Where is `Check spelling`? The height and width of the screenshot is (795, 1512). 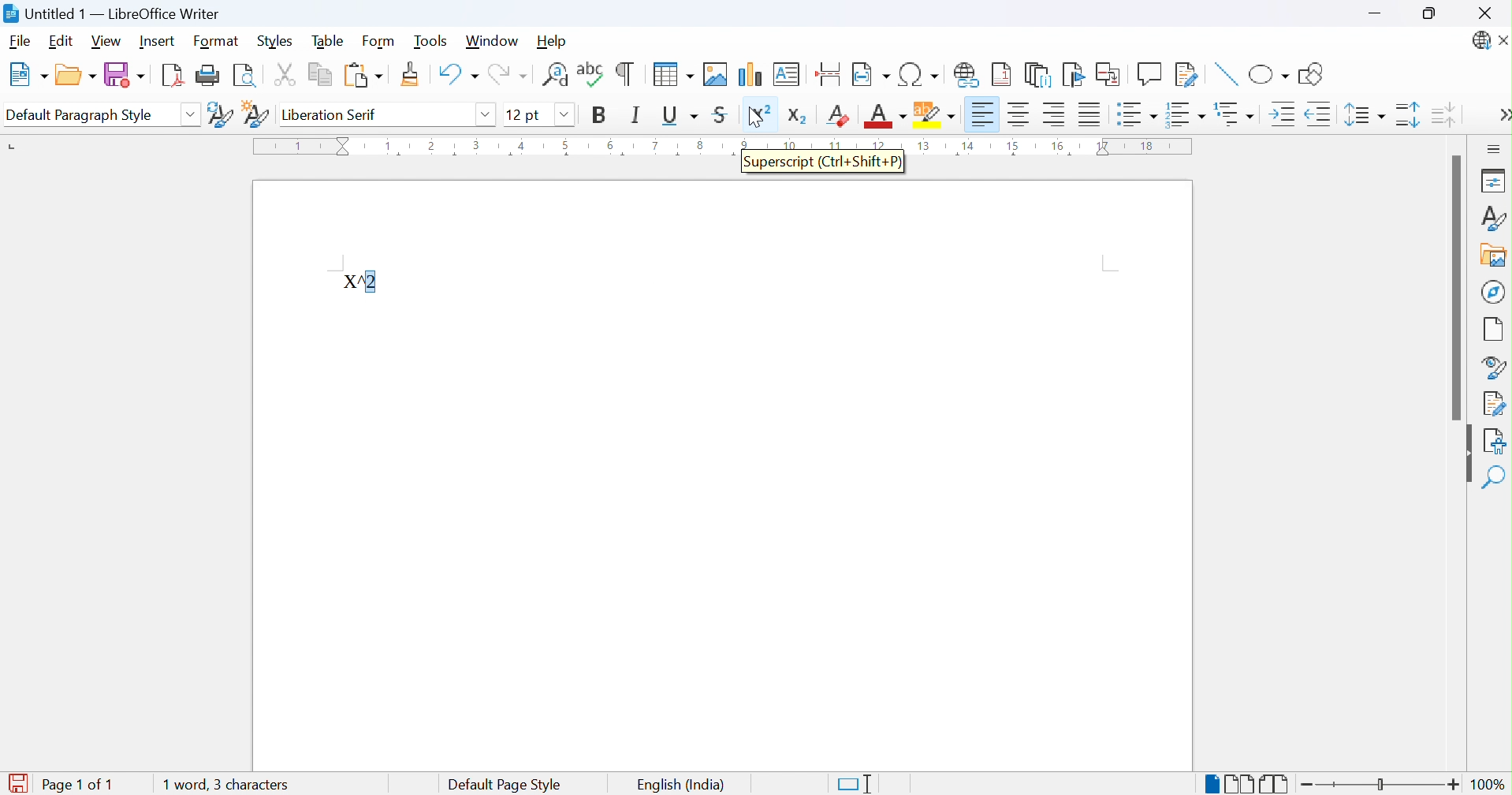
Check spelling is located at coordinates (593, 73).